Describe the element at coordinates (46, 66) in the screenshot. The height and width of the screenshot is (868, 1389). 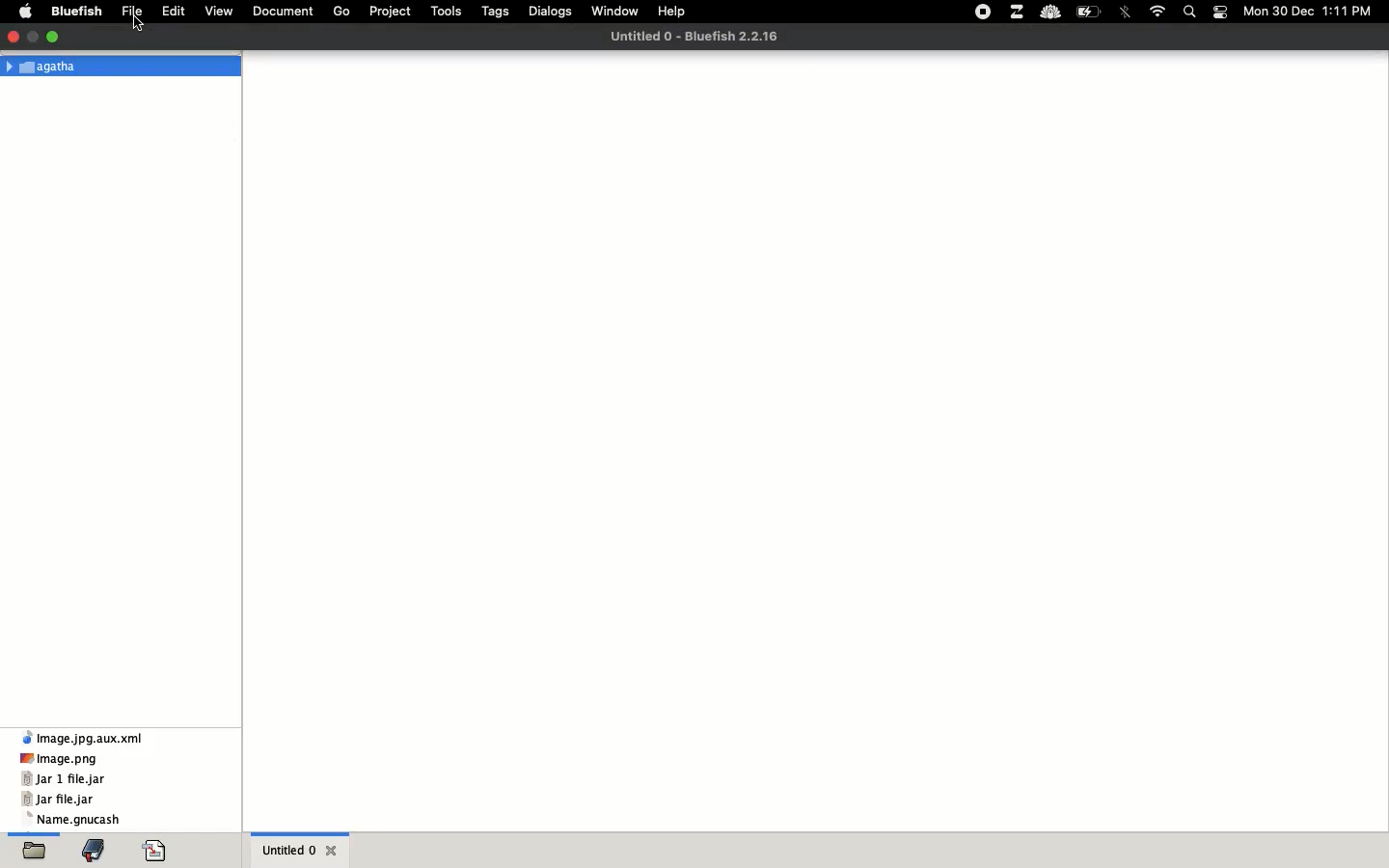
I see `Agatha` at that location.